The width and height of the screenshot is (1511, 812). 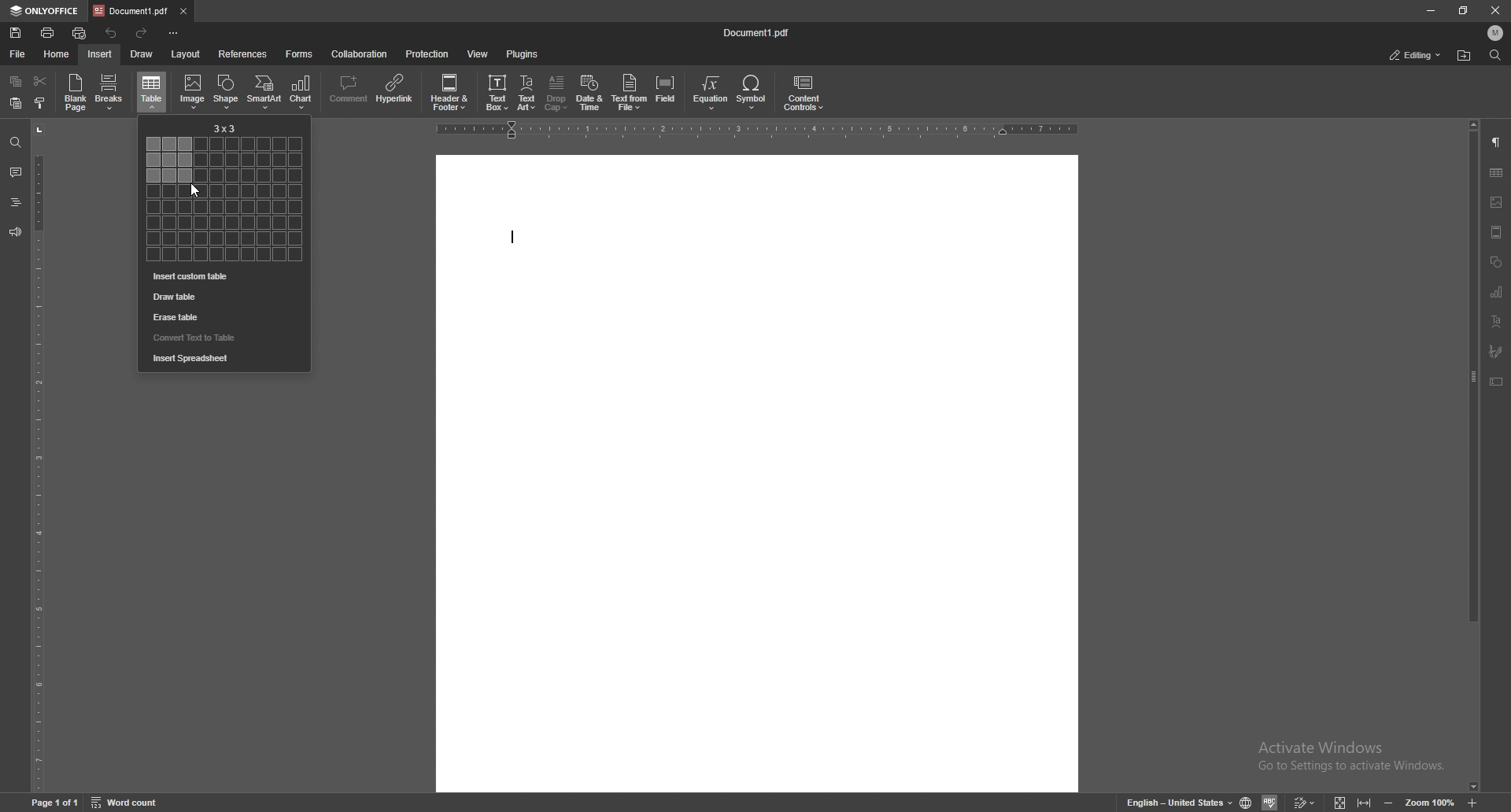 I want to click on chart, so click(x=1498, y=293).